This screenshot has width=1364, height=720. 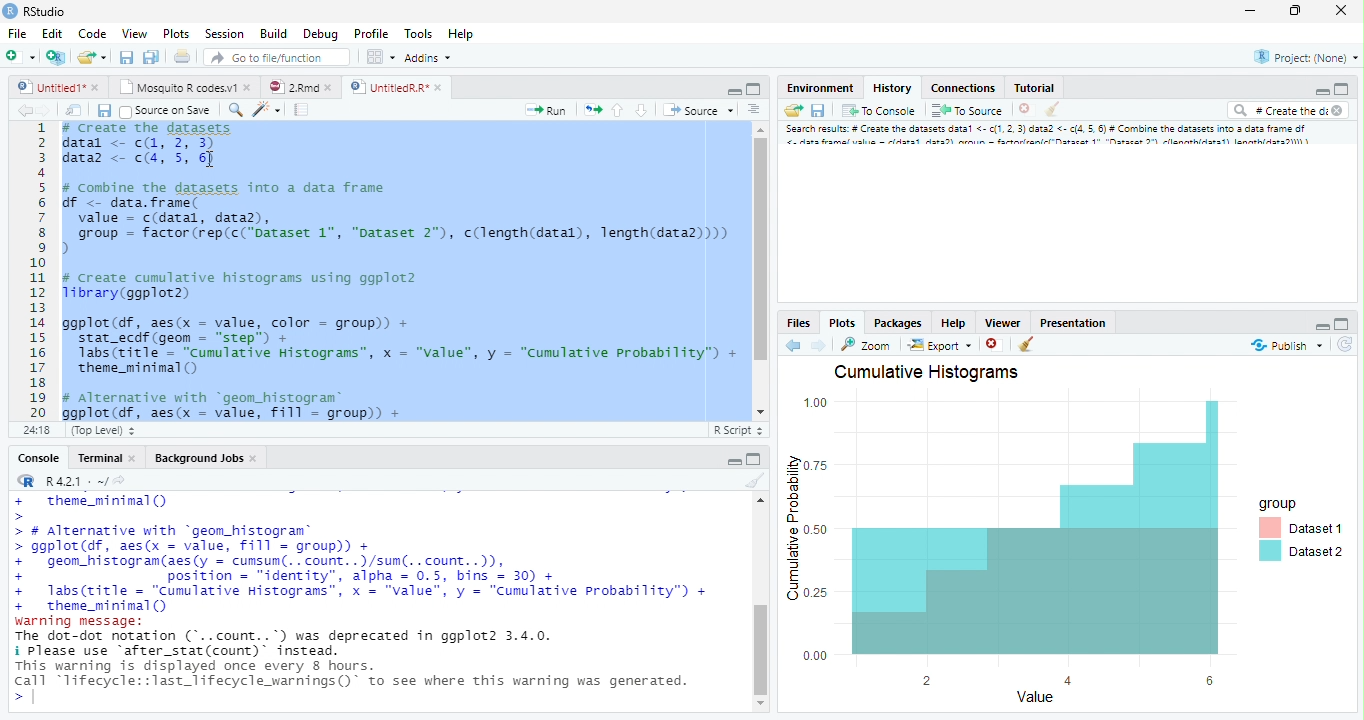 What do you see at coordinates (17, 113) in the screenshot?
I see `Back` at bounding box center [17, 113].